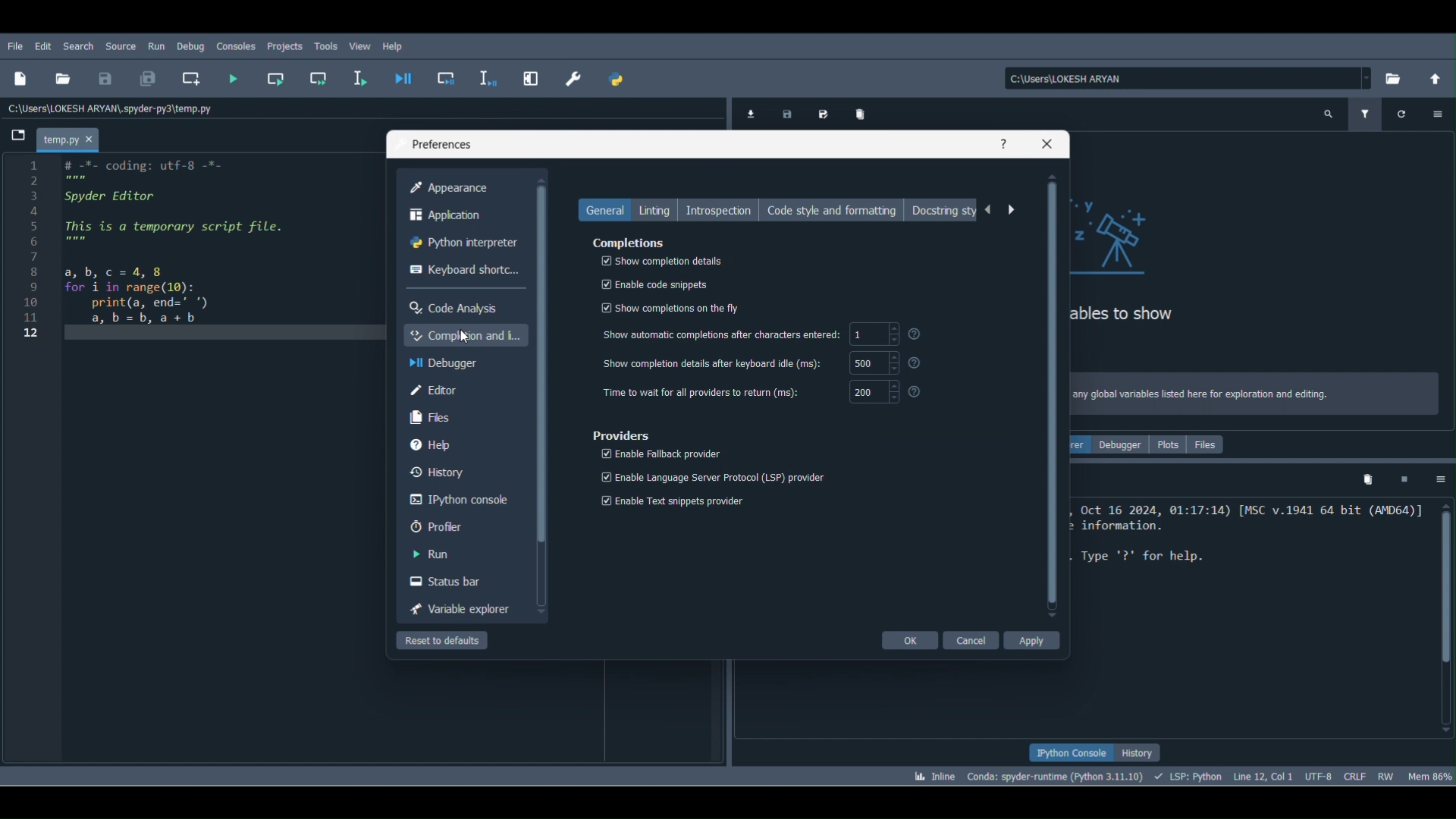 This screenshot has width=1456, height=819. Describe the element at coordinates (1442, 613) in the screenshot. I see `Scrollbar` at that location.